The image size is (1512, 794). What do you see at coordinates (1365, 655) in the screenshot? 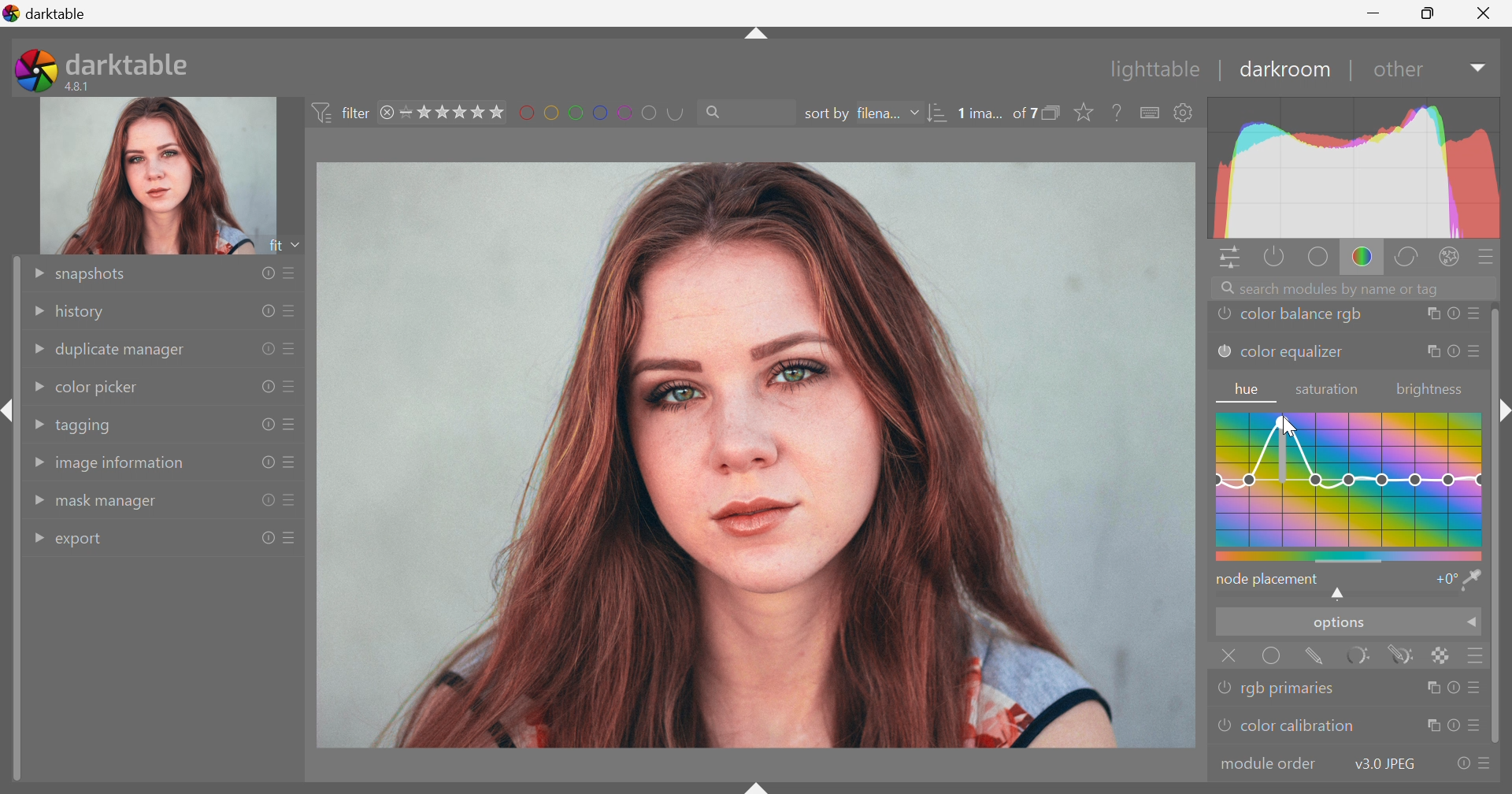
I see `parametric mask` at bounding box center [1365, 655].